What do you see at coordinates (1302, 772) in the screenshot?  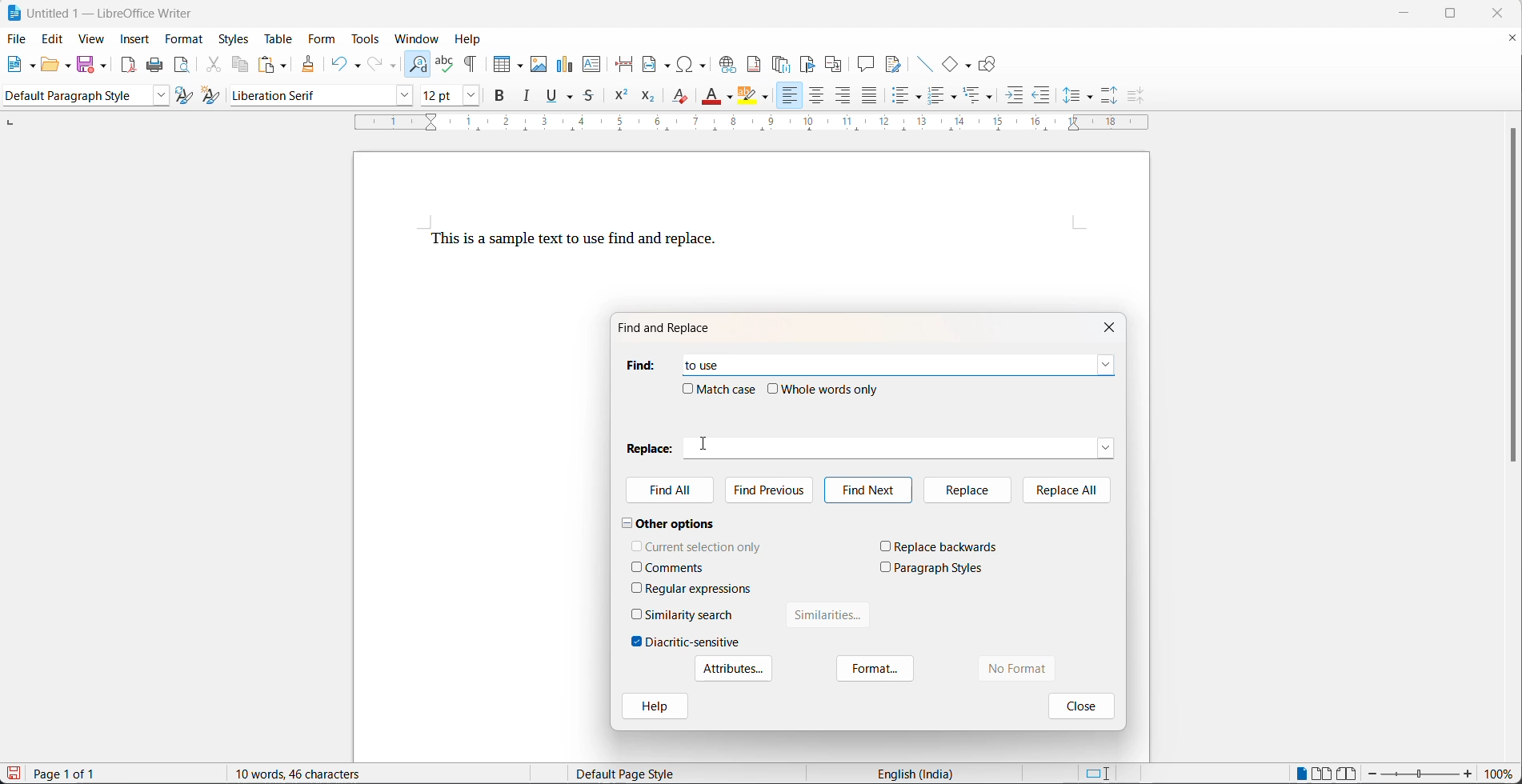 I see `single page view` at bounding box center [1302, 772].